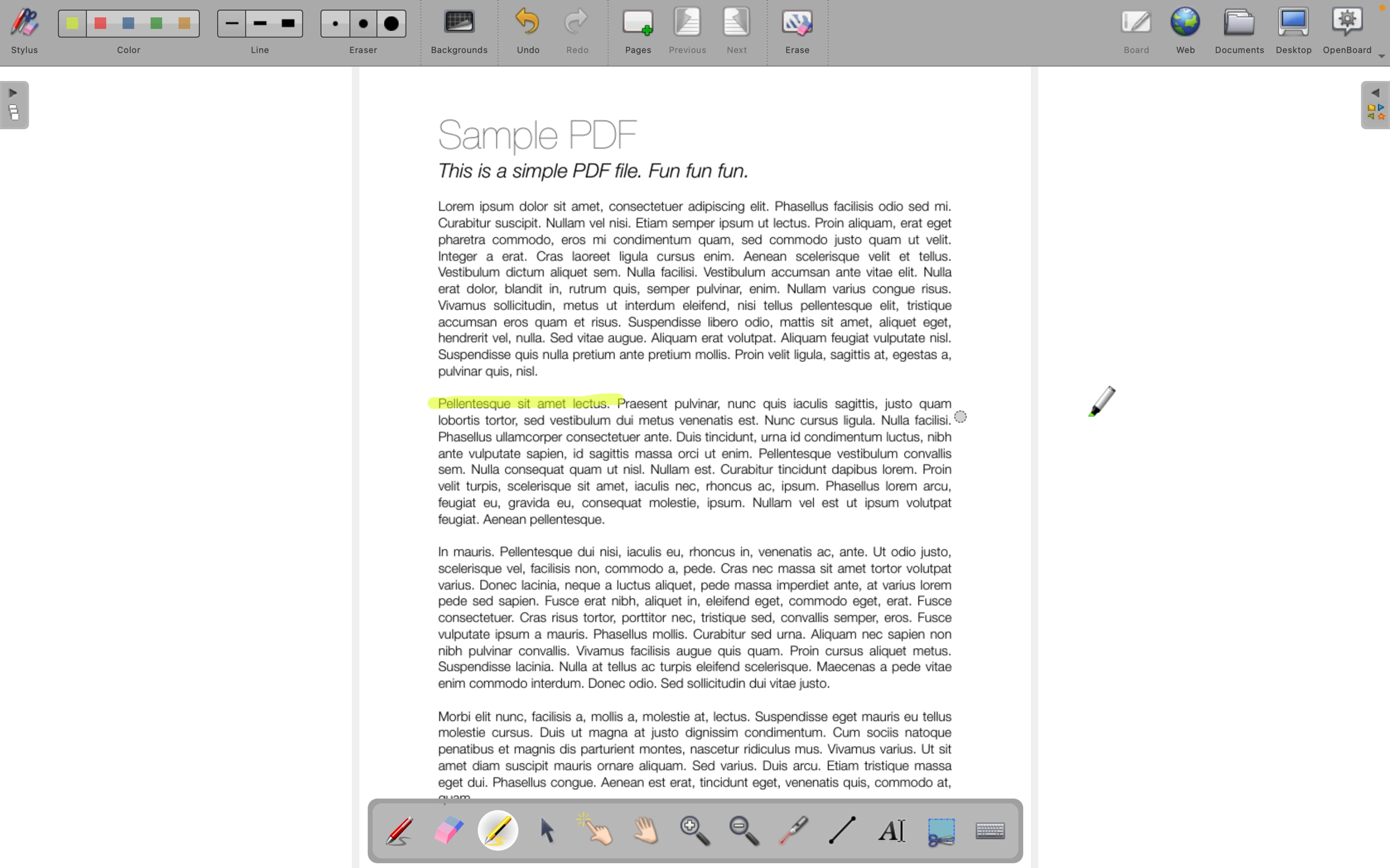  I want to click on pages, so click(17, 107).